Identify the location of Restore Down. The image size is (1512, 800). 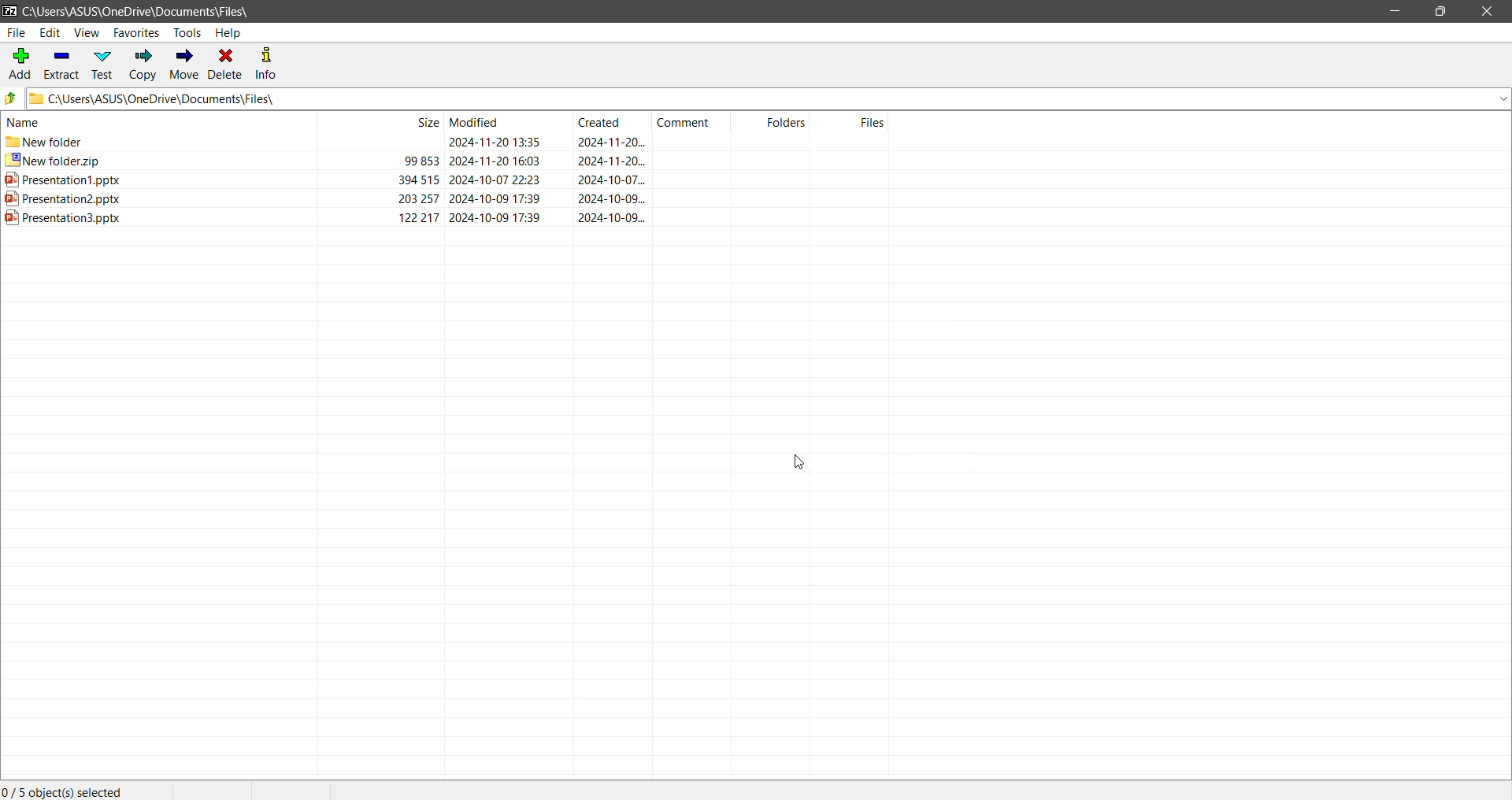
(1442, 13).